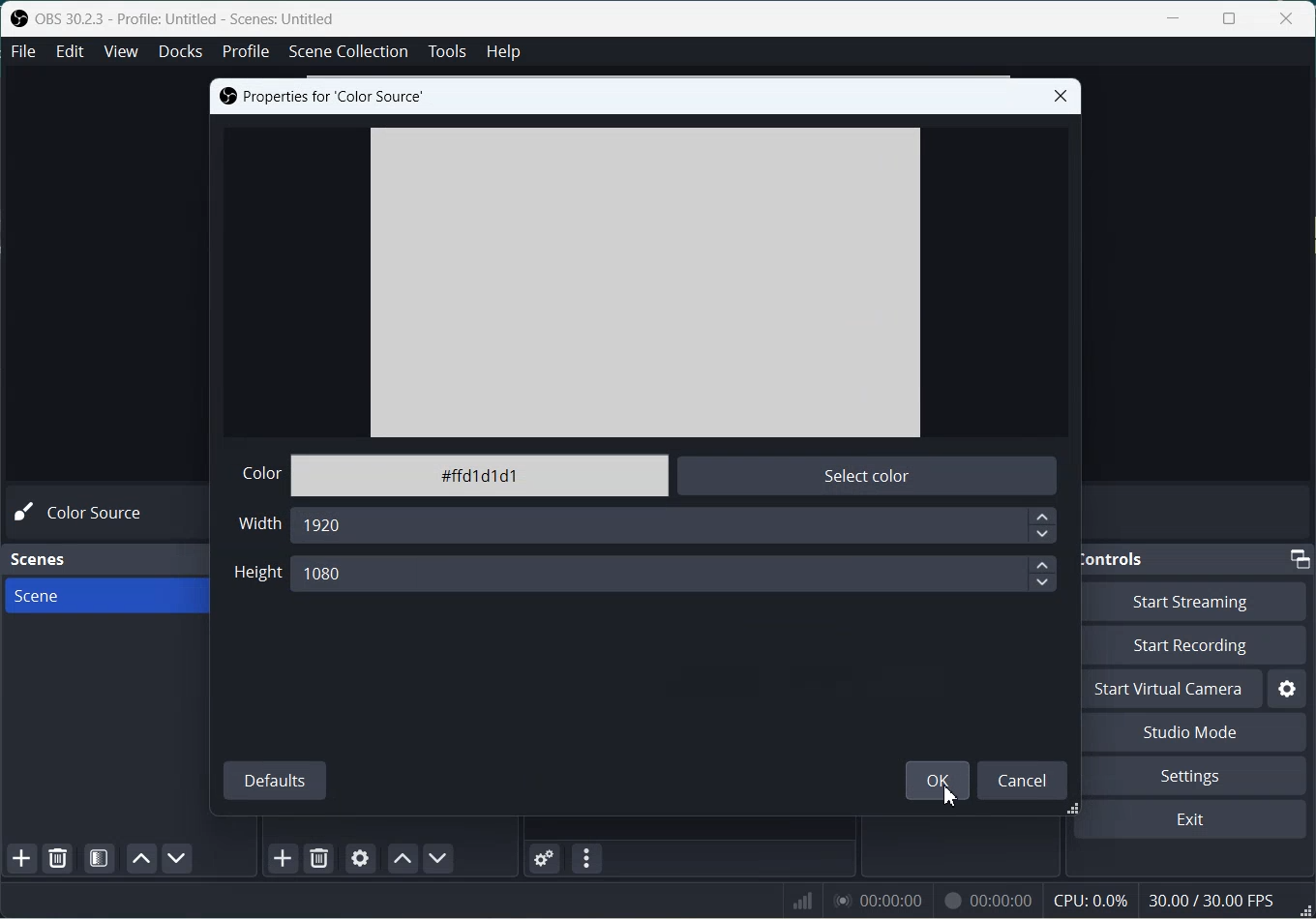 The height and width of the screenshot is (919, 1316). Describe the element at coordinates (181, 51) in the screenshot. I see `Docks` at that location.